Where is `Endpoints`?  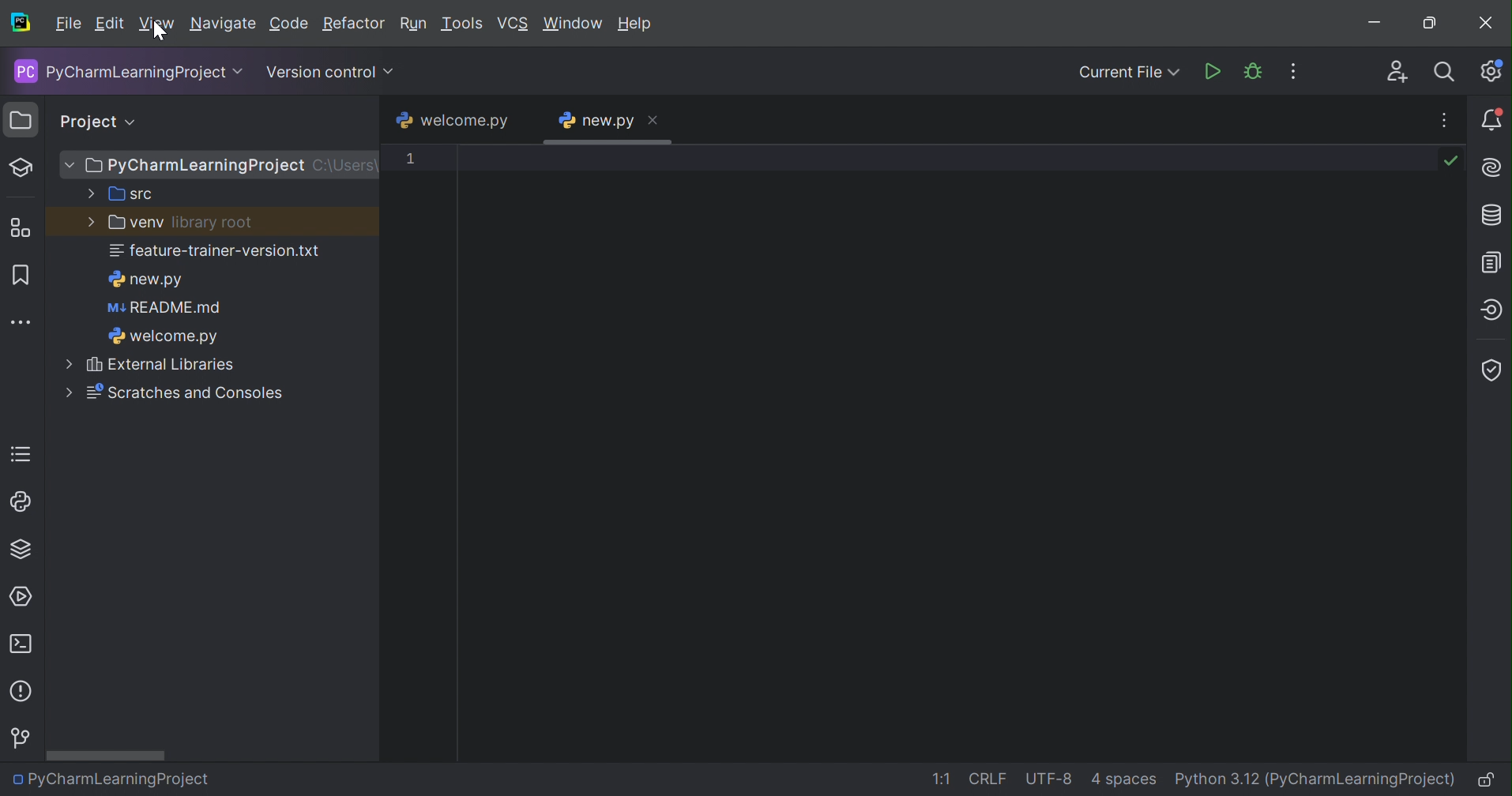
Endpoints is located at coordinates (1491, 310).